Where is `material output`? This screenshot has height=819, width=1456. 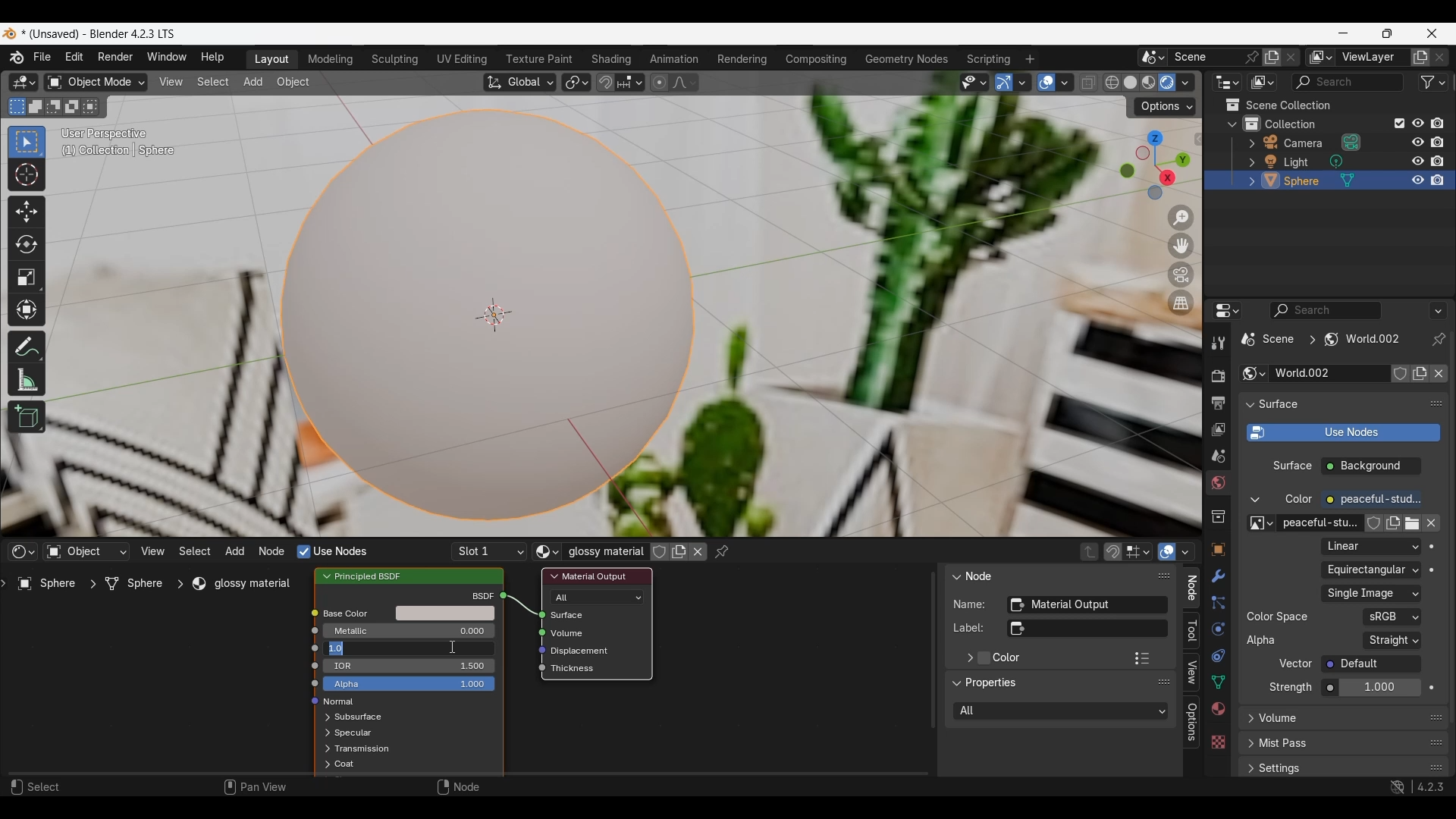 material output is located at coordinates (595, 576).